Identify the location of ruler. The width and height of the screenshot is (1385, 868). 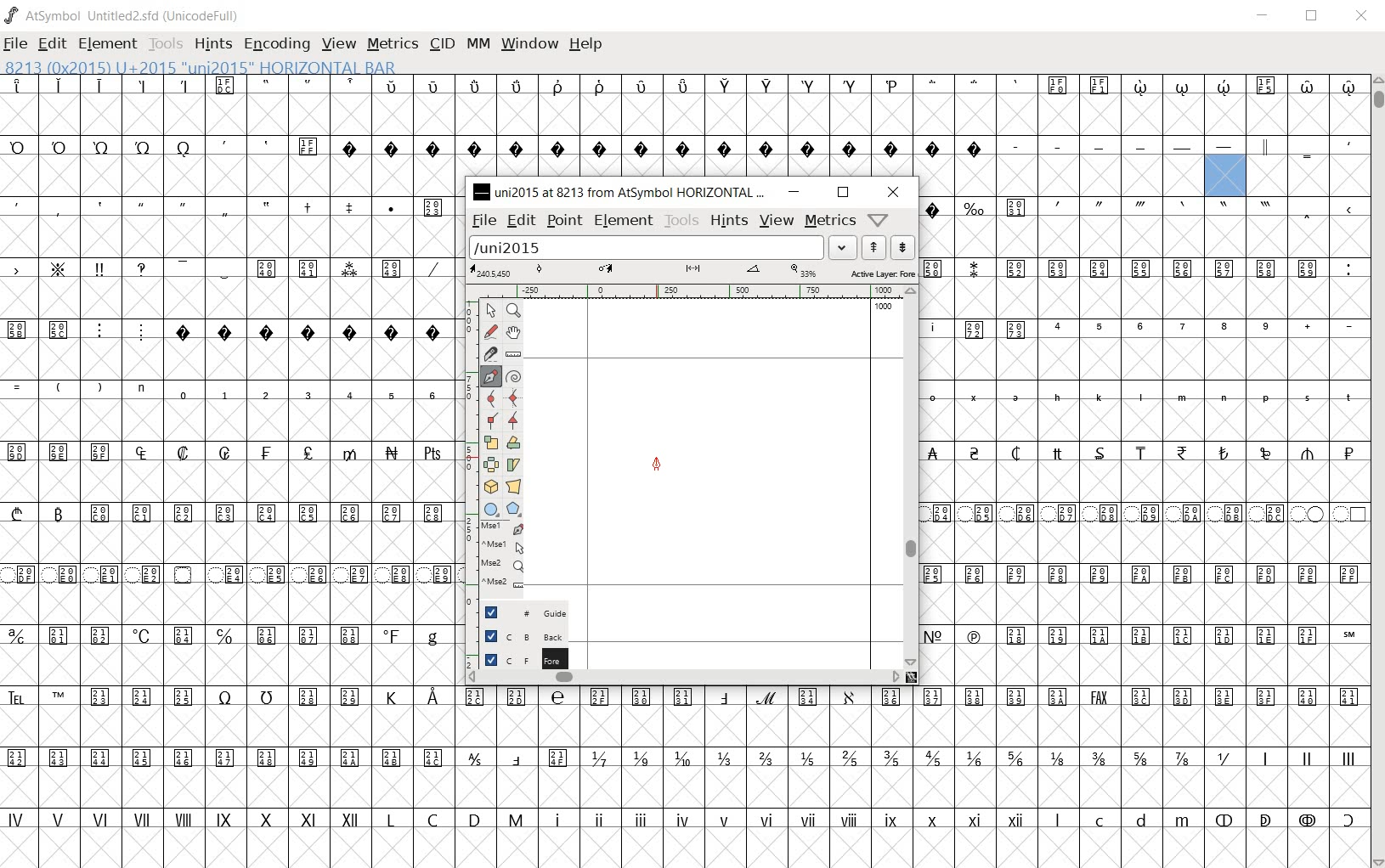
(696, 291).